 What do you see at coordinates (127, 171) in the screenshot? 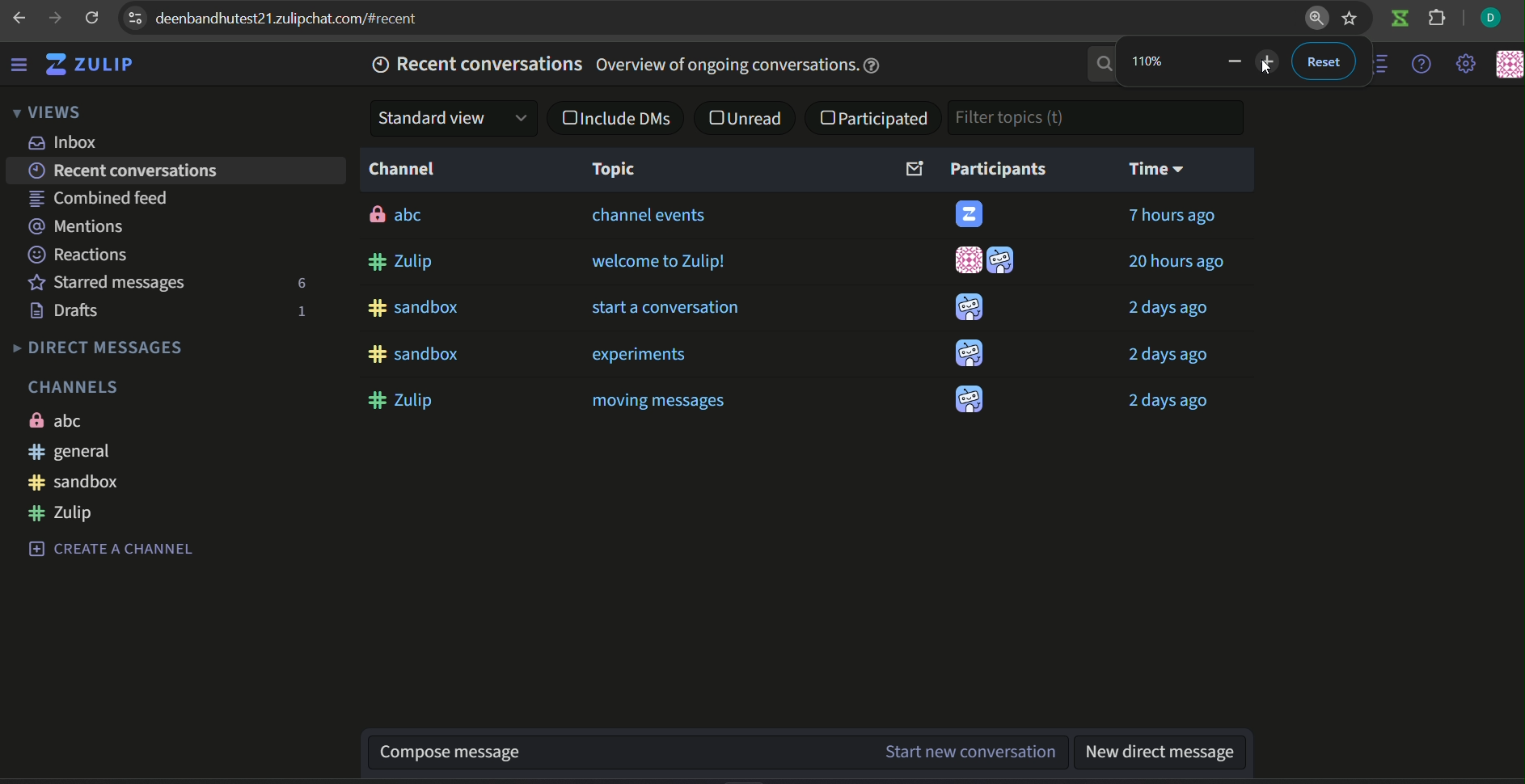
I see `recent conversations` at bounding box center [127, 171].